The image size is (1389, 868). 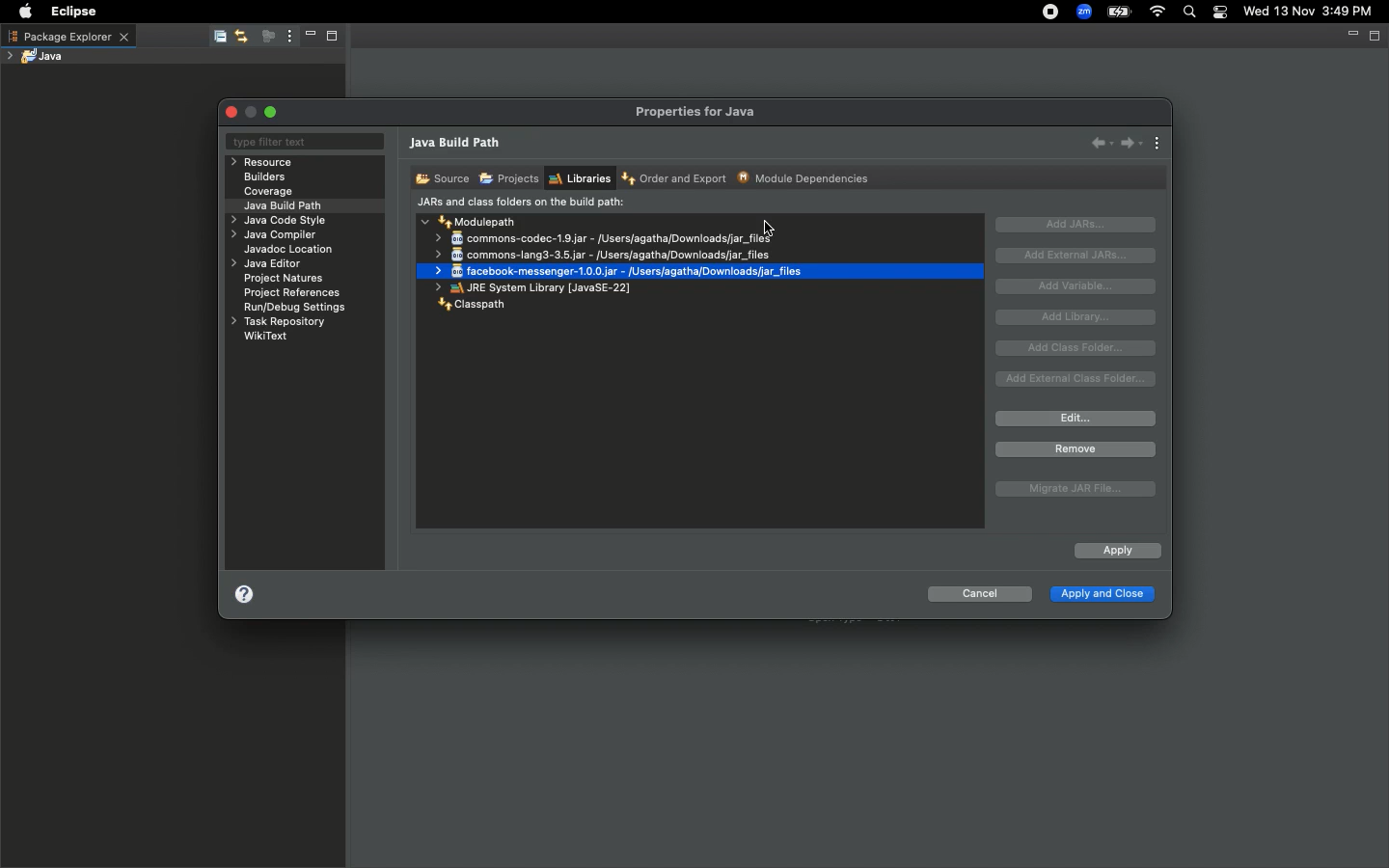 I want to click on Coverage, so click(x=269, y=192).